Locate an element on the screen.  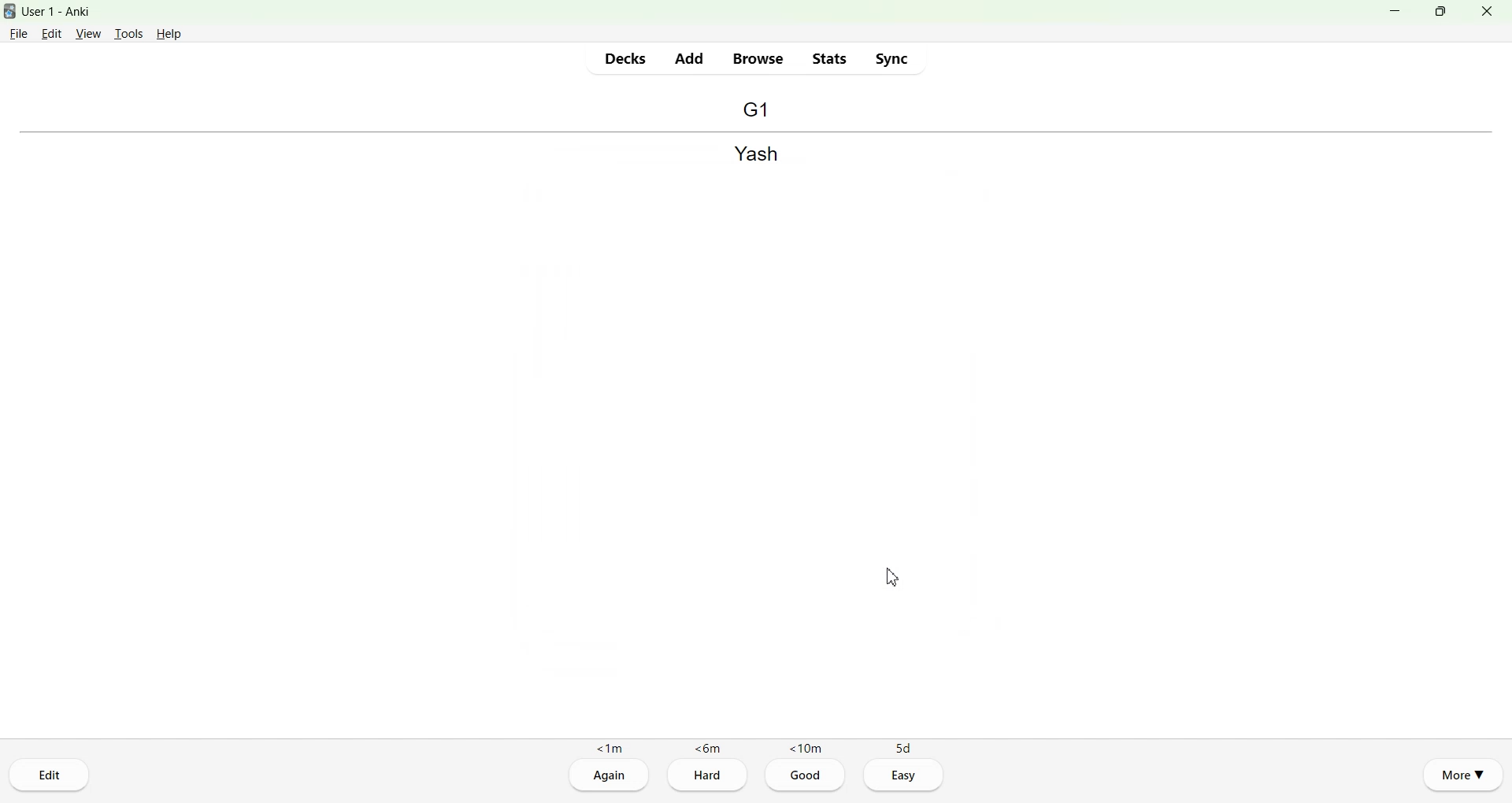
<1m <6m <10m 5d is located at coordinates (755, 747).